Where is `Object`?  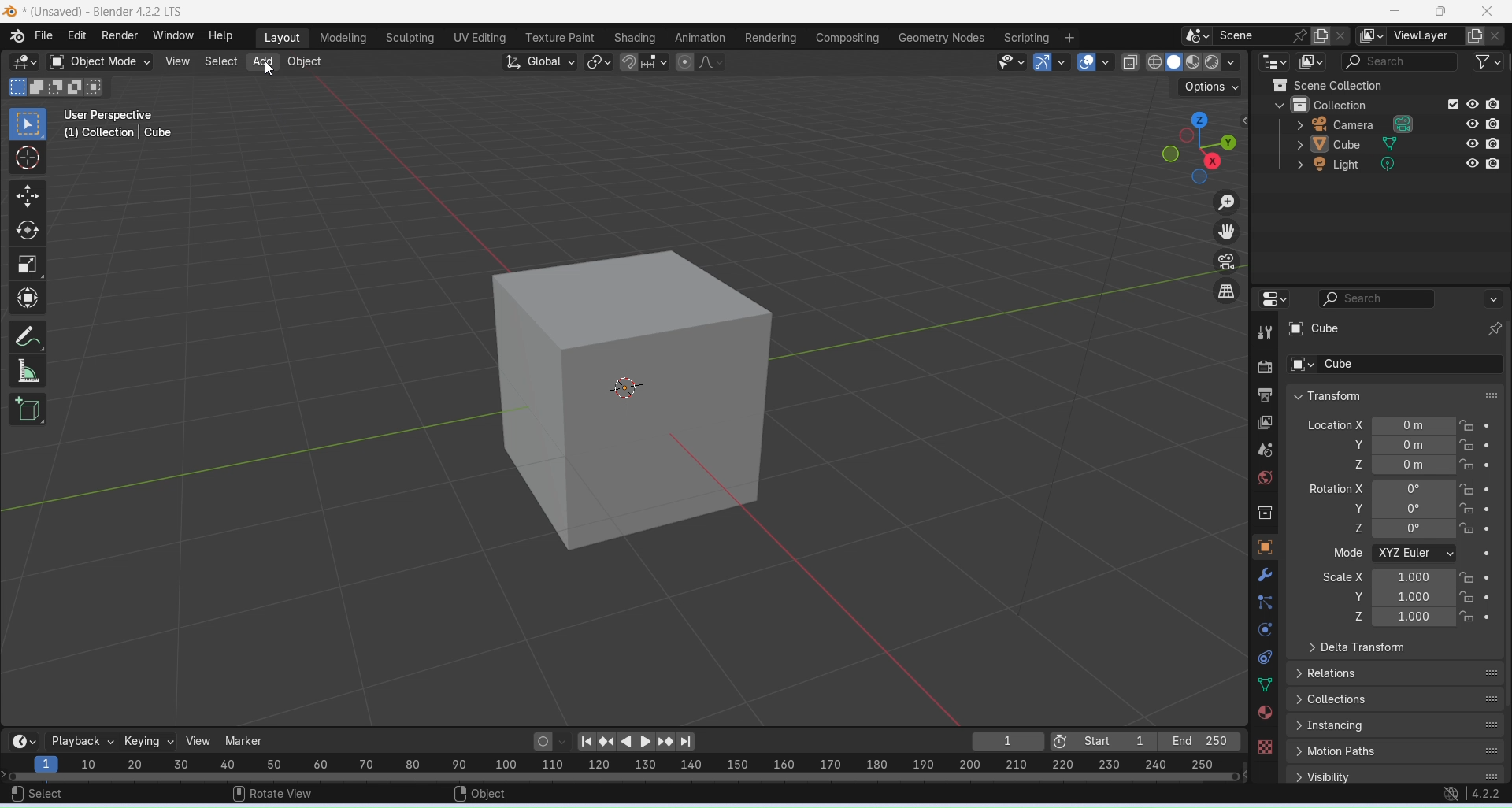 Object is located at coordinates (1264, 547).